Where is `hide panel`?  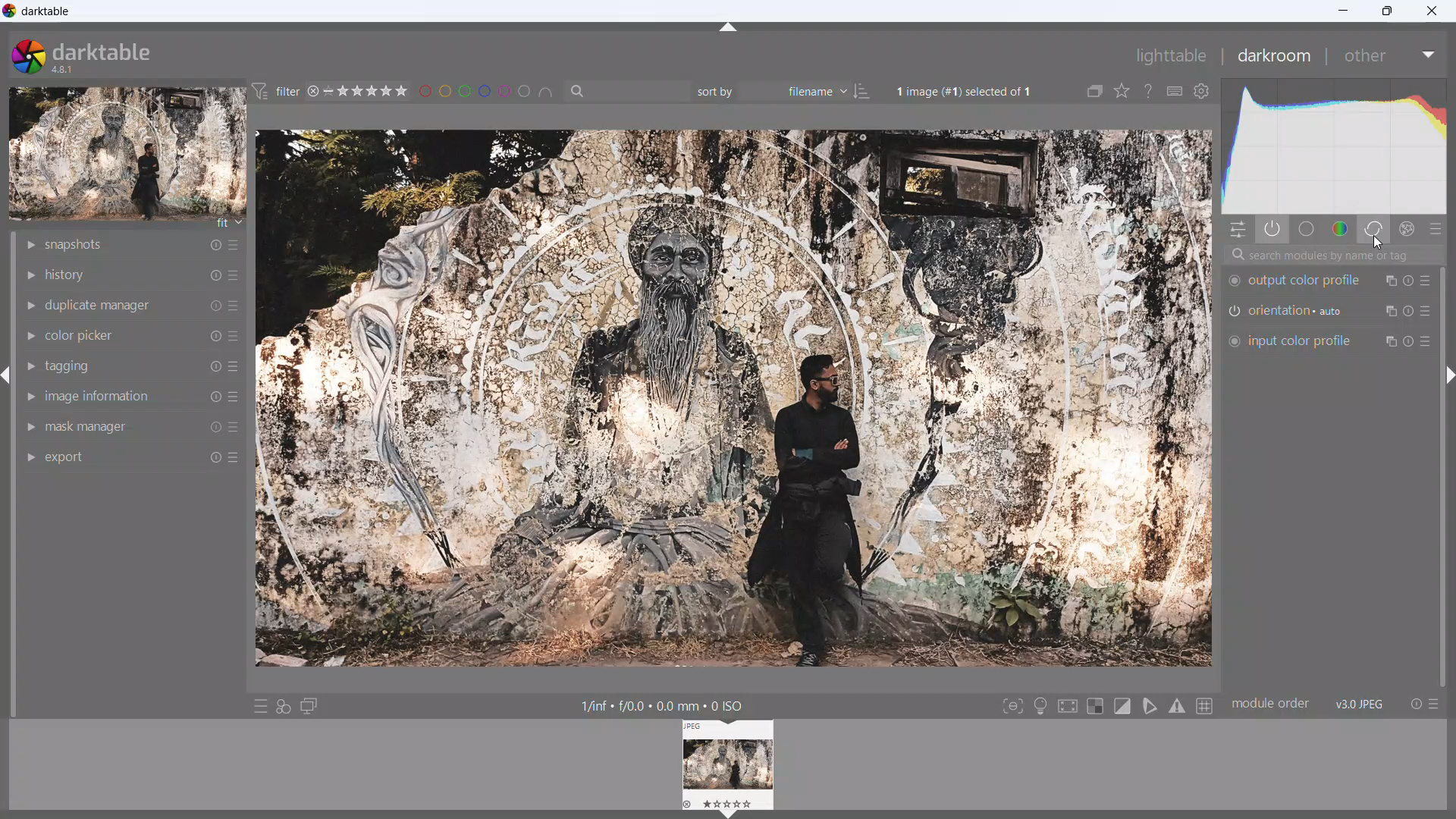 hide panel is located at coordinates (9, 377).